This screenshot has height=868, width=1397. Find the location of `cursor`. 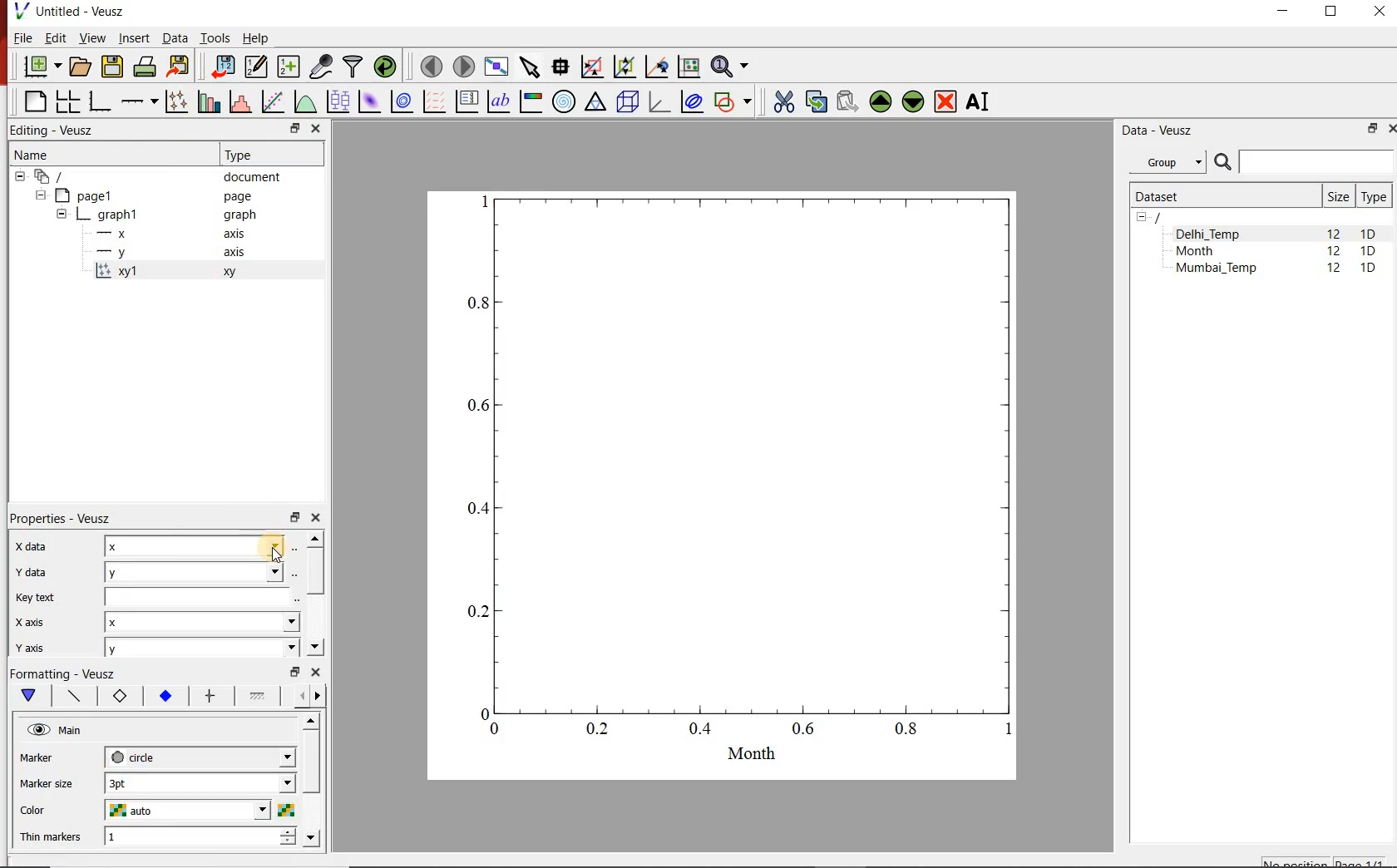

cursor is located at coordinates (271, 547).